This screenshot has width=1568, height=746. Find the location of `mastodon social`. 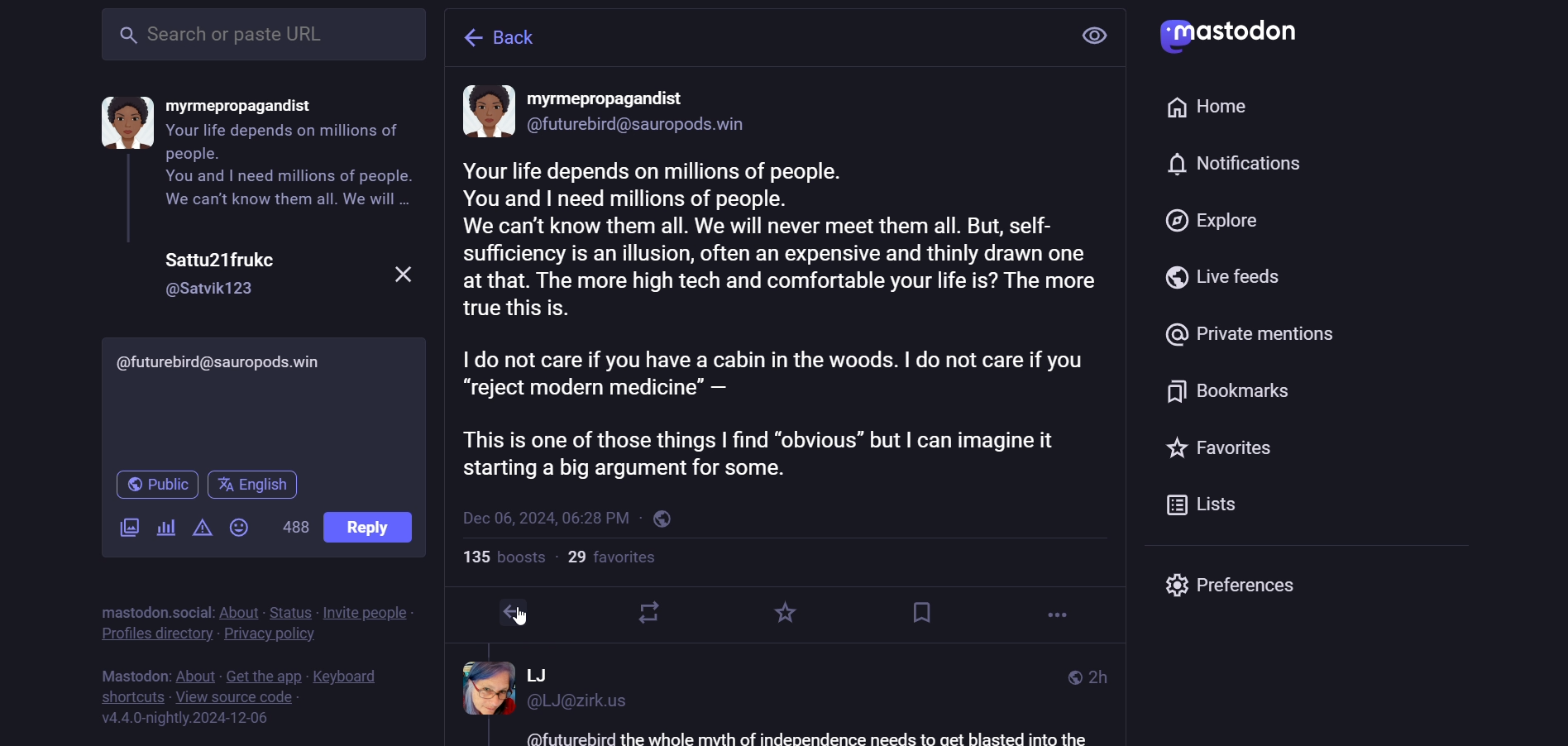

mastodon social is located at coordinates (152, 611).